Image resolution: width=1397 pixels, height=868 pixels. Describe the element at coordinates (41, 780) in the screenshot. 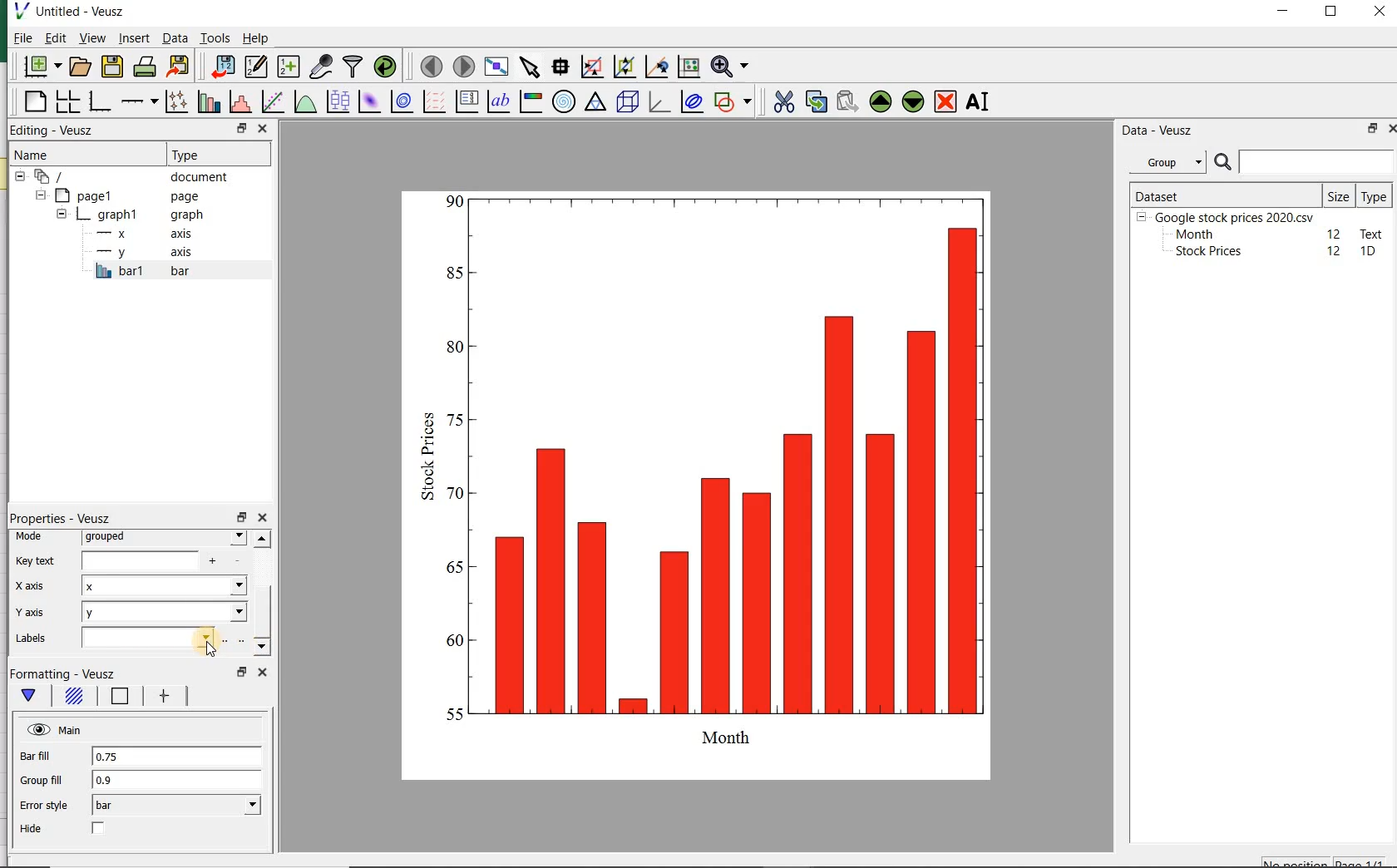

I see `Group fill` at that location.